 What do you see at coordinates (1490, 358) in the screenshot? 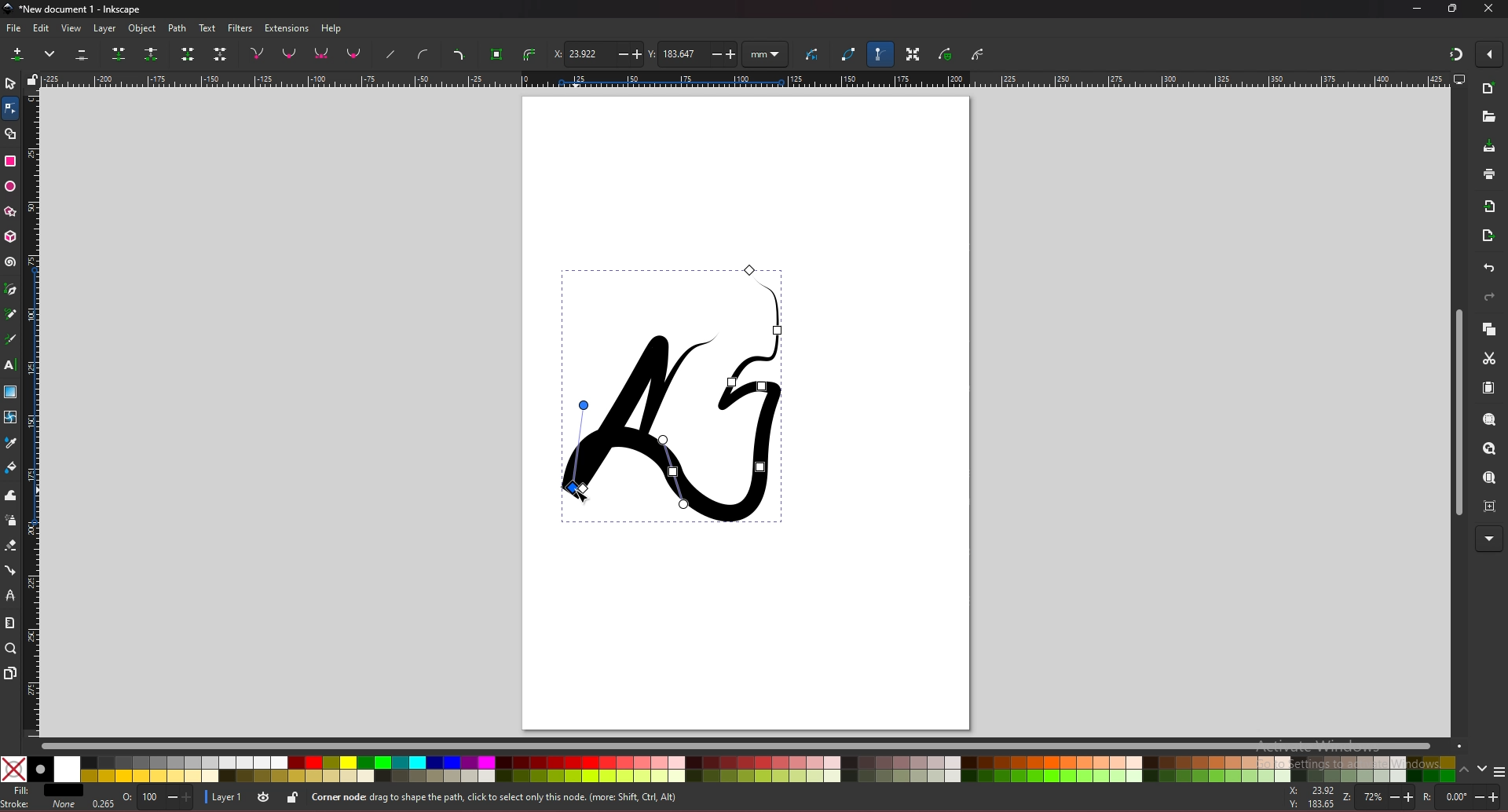
I see `cut` at bounding box center [1490, 358].